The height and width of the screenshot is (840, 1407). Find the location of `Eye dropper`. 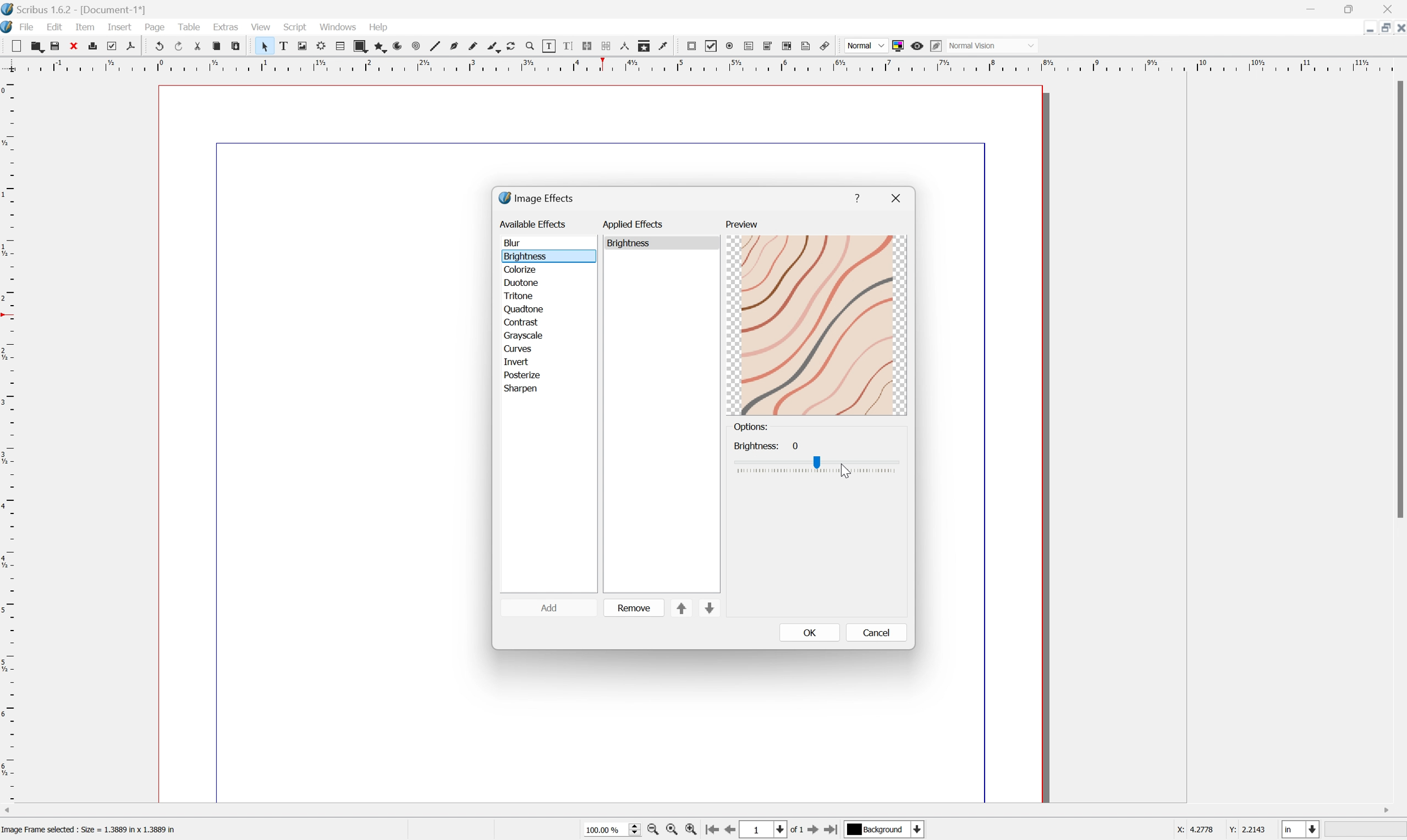

Eye dropper is located at coordinates (667, 48).